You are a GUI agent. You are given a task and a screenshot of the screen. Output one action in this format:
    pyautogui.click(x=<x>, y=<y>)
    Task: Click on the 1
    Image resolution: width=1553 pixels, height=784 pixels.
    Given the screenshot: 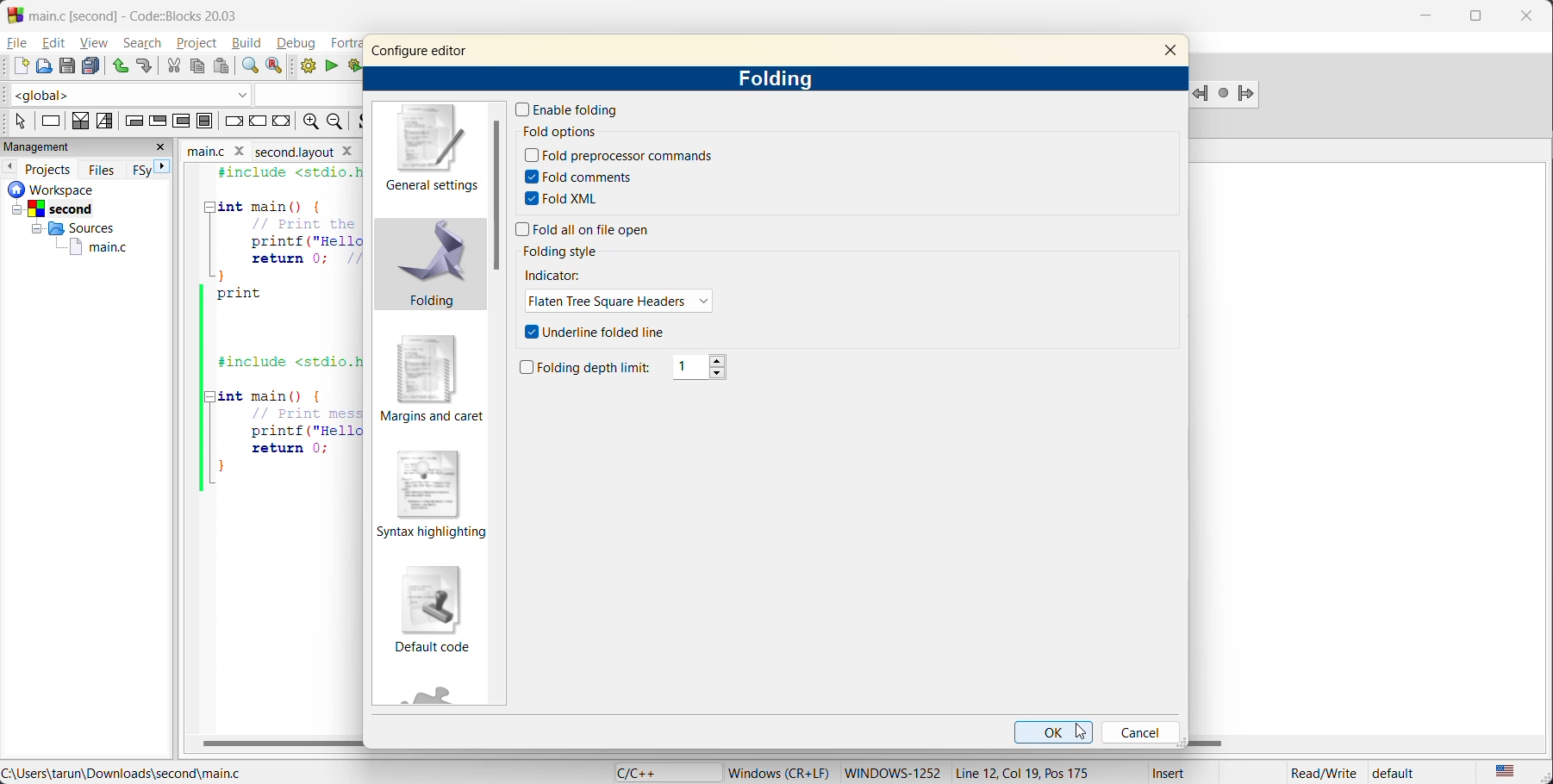 What is the action you would take?
    pyautogui.click(x=708, y=365)
    